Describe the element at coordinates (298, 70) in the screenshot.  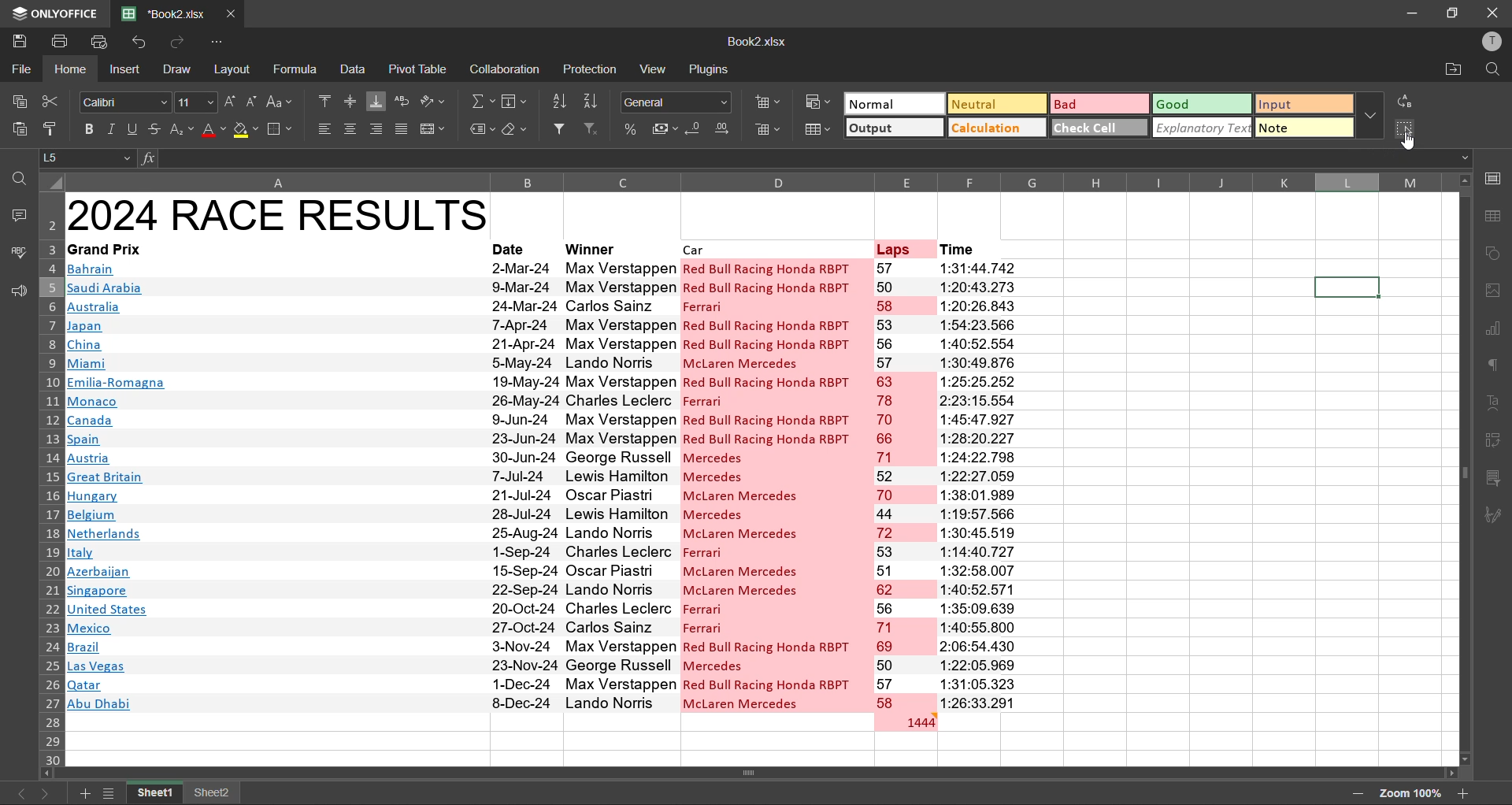
I see `formula` at that location.